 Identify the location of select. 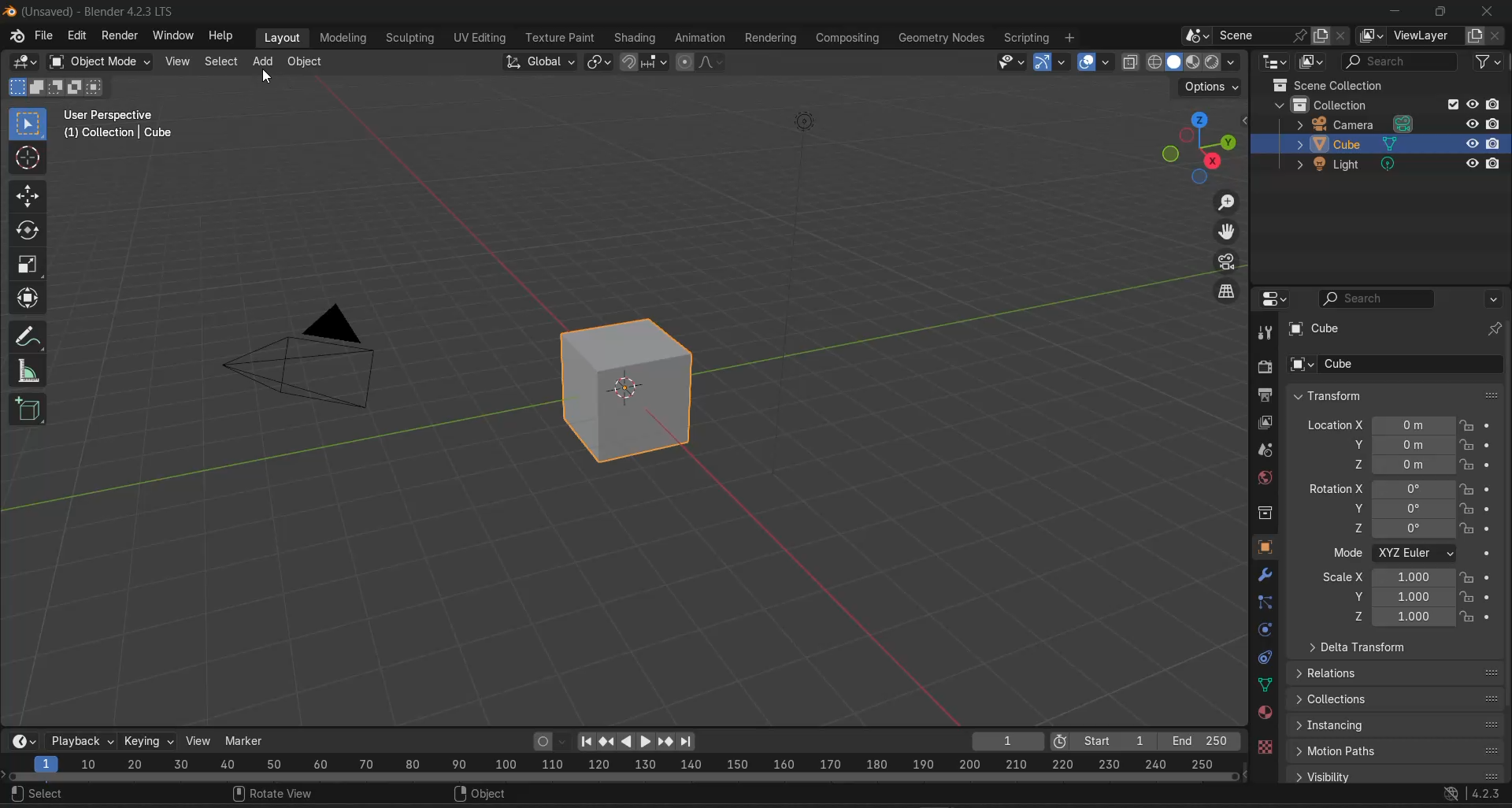
(222, 61).